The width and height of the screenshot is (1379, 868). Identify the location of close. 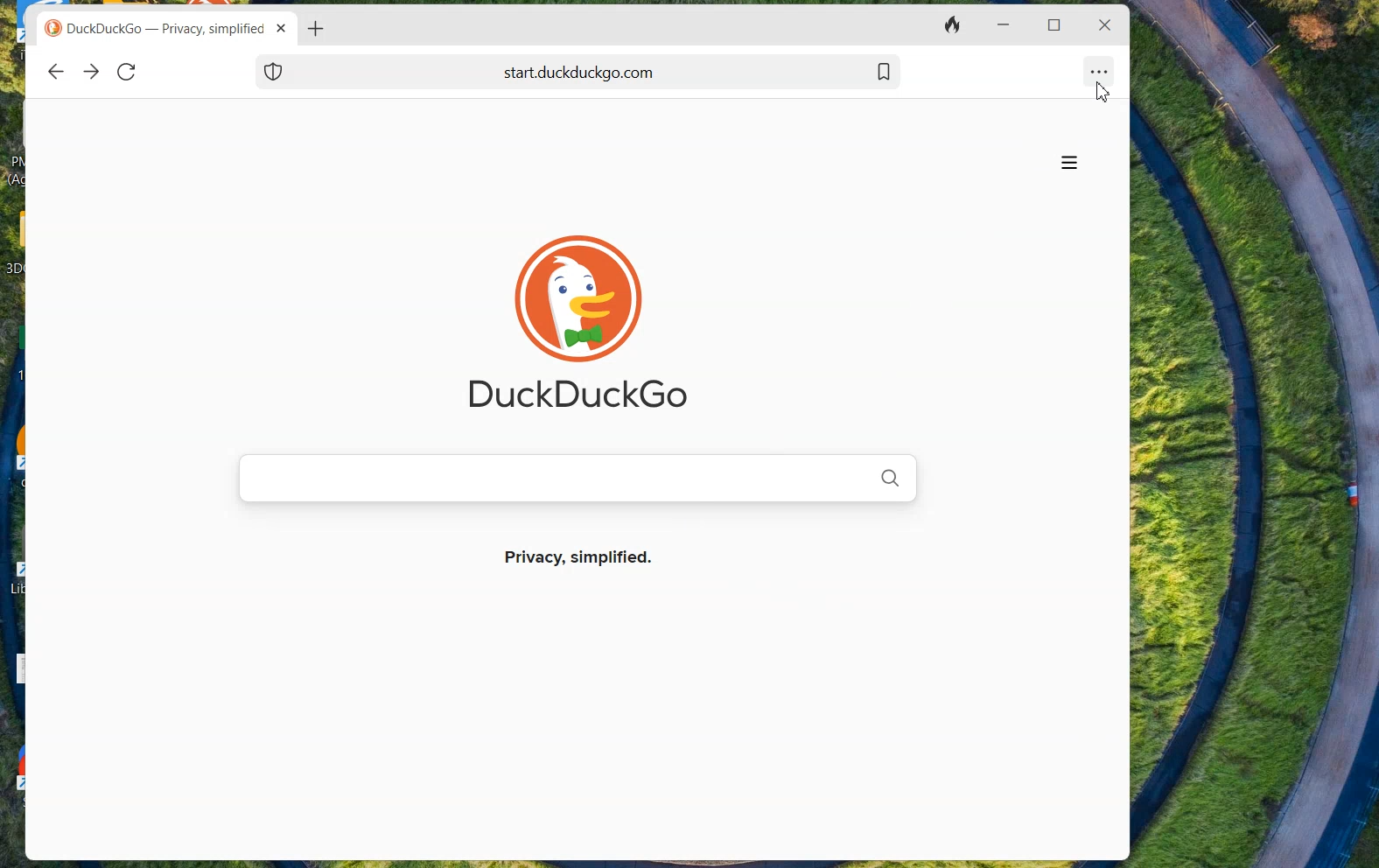
(283, 28).